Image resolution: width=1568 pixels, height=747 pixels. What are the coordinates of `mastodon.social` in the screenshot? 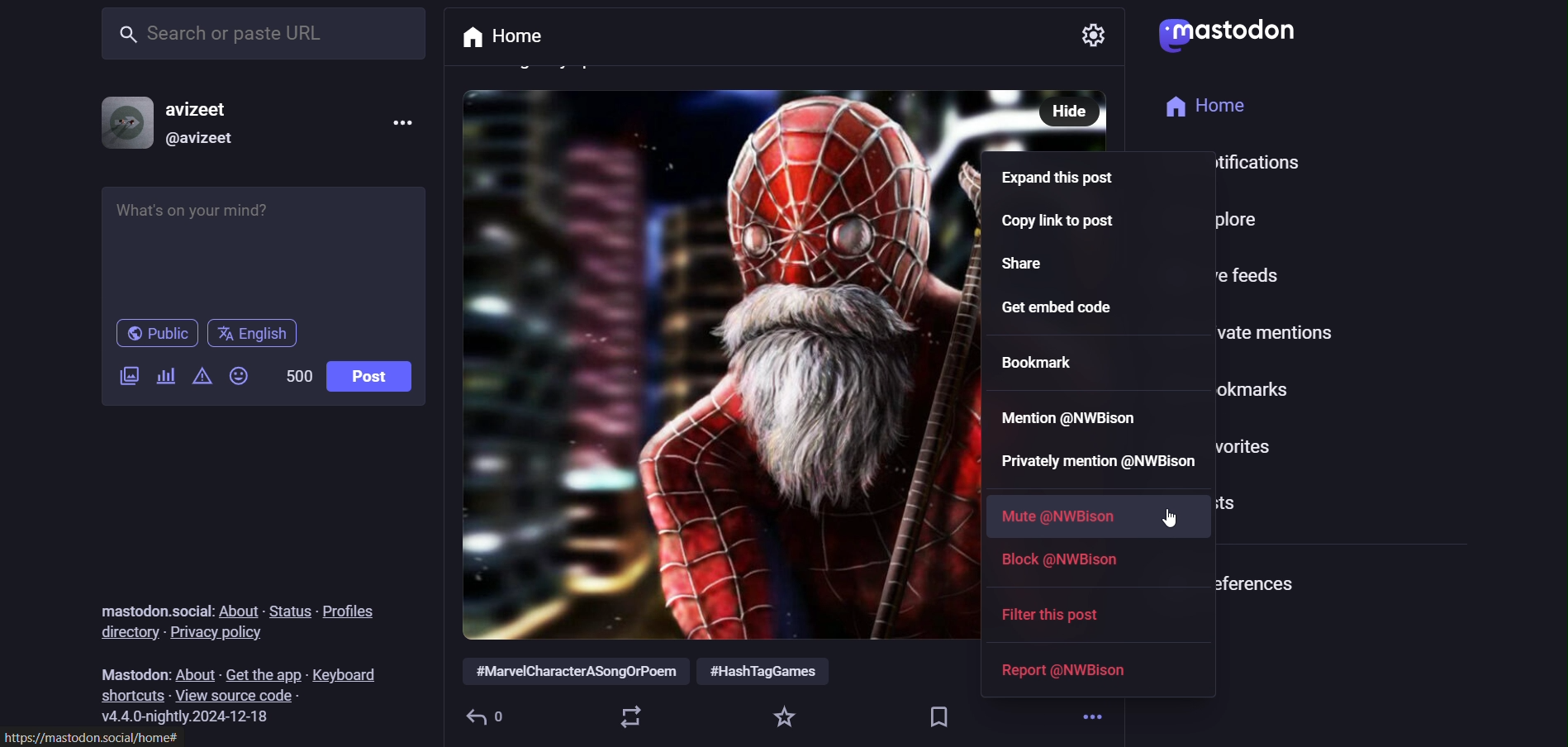 It's located at (147, 607).